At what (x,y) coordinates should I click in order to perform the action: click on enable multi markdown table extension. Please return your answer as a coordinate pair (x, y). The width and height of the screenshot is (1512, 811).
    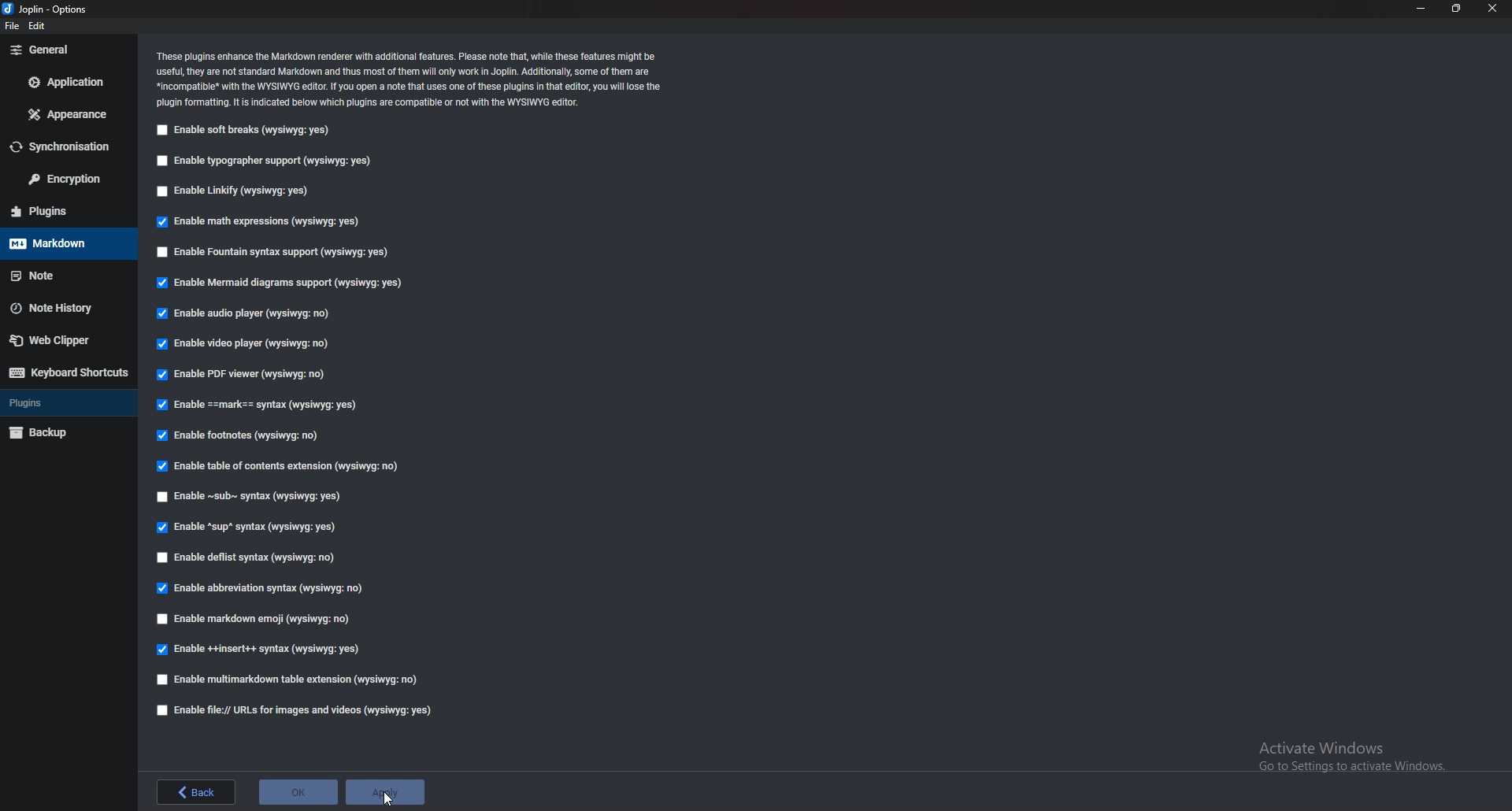
    Looking at the image, I should click on (285, 680).